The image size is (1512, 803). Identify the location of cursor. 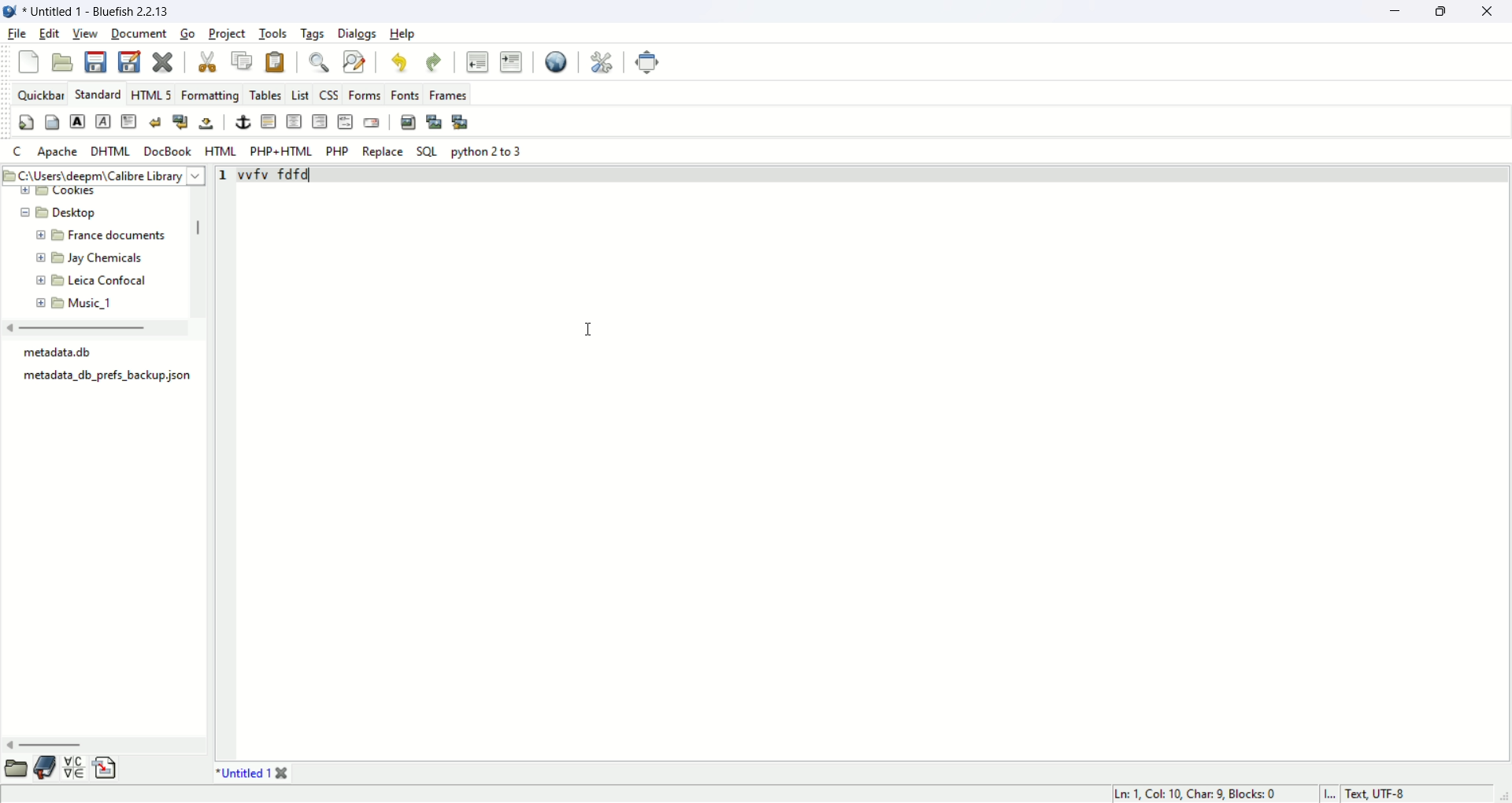
(591, 326).